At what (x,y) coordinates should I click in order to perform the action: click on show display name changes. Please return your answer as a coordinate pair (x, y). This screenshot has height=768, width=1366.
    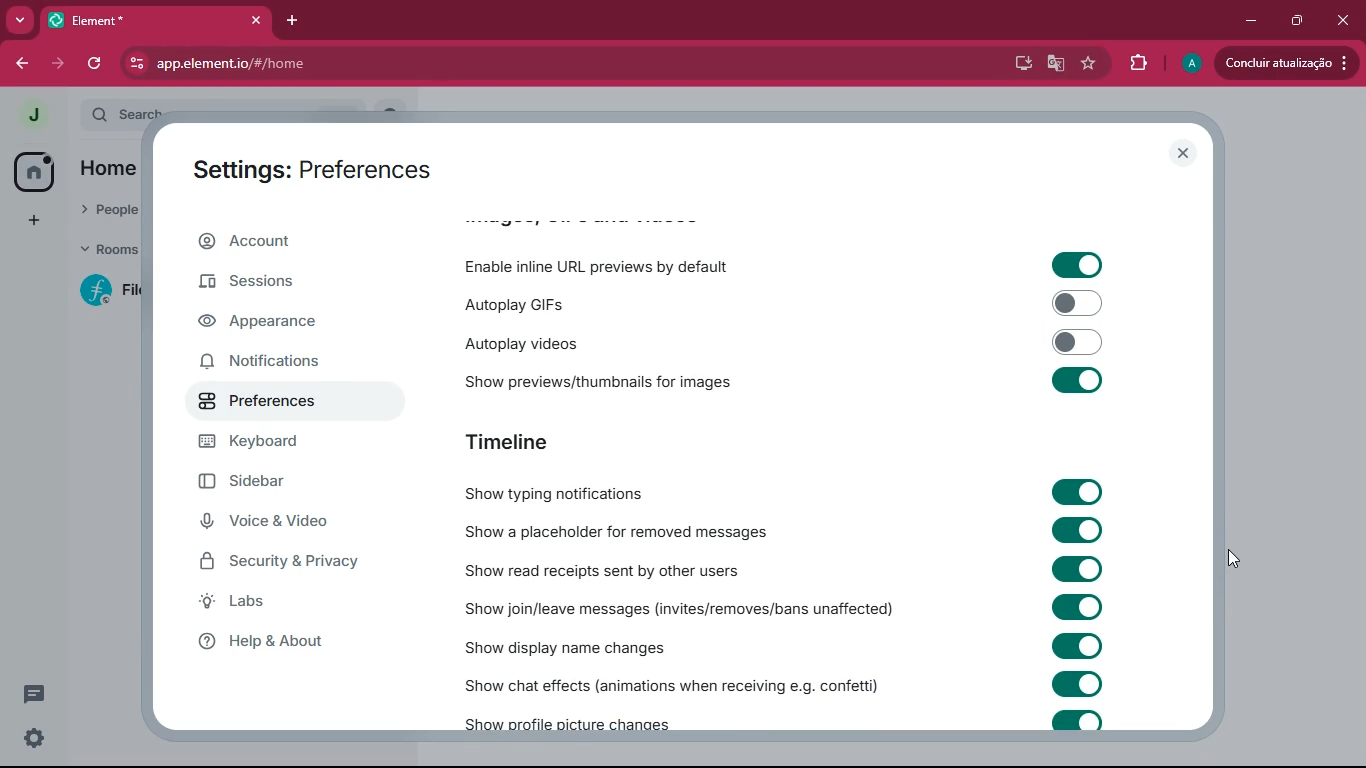
    Looking at the image, I should click on (568, 645).